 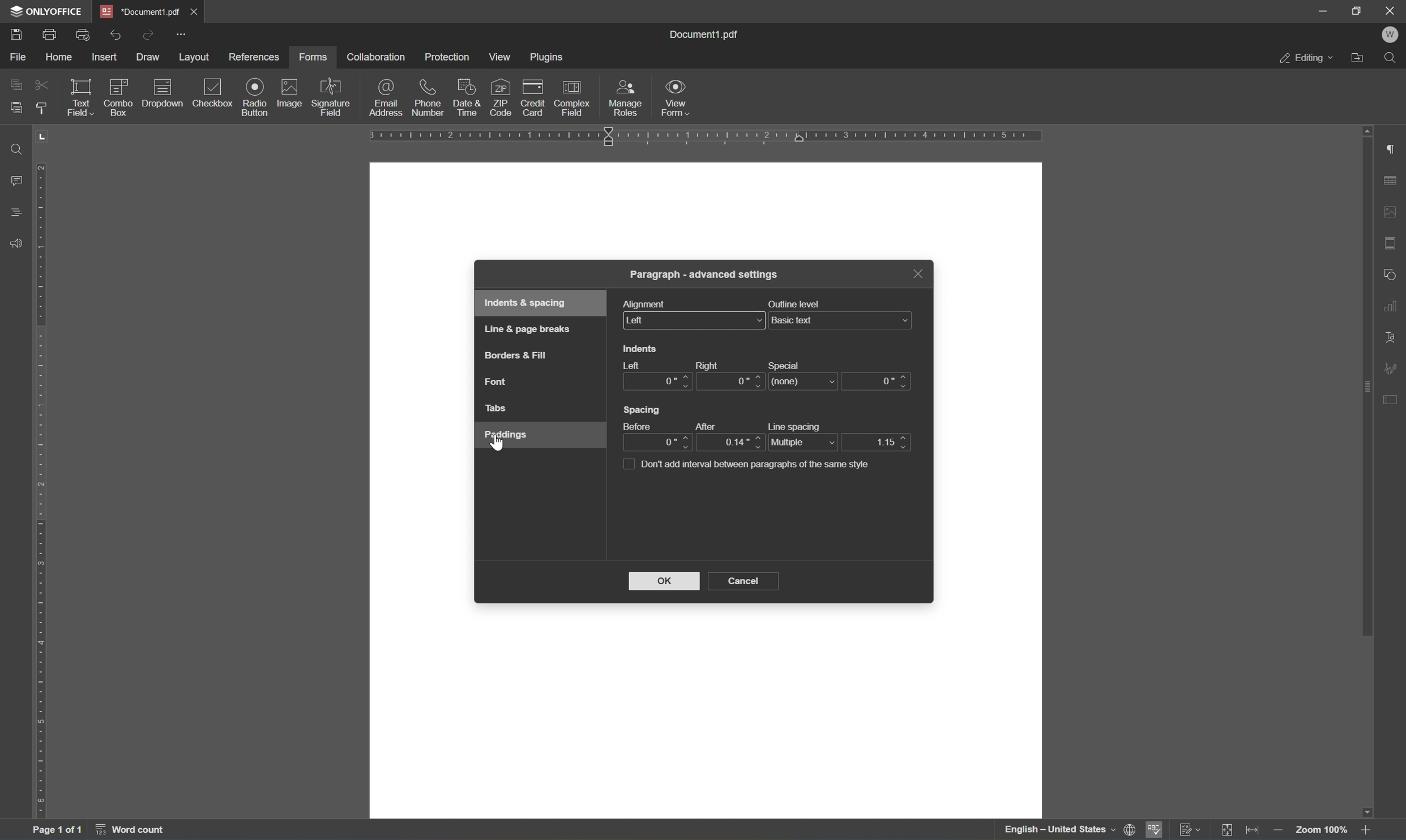 What do you see at coordinates (17, 83) in the screenshot?
I see `copy` at bounding box center [17, 83].